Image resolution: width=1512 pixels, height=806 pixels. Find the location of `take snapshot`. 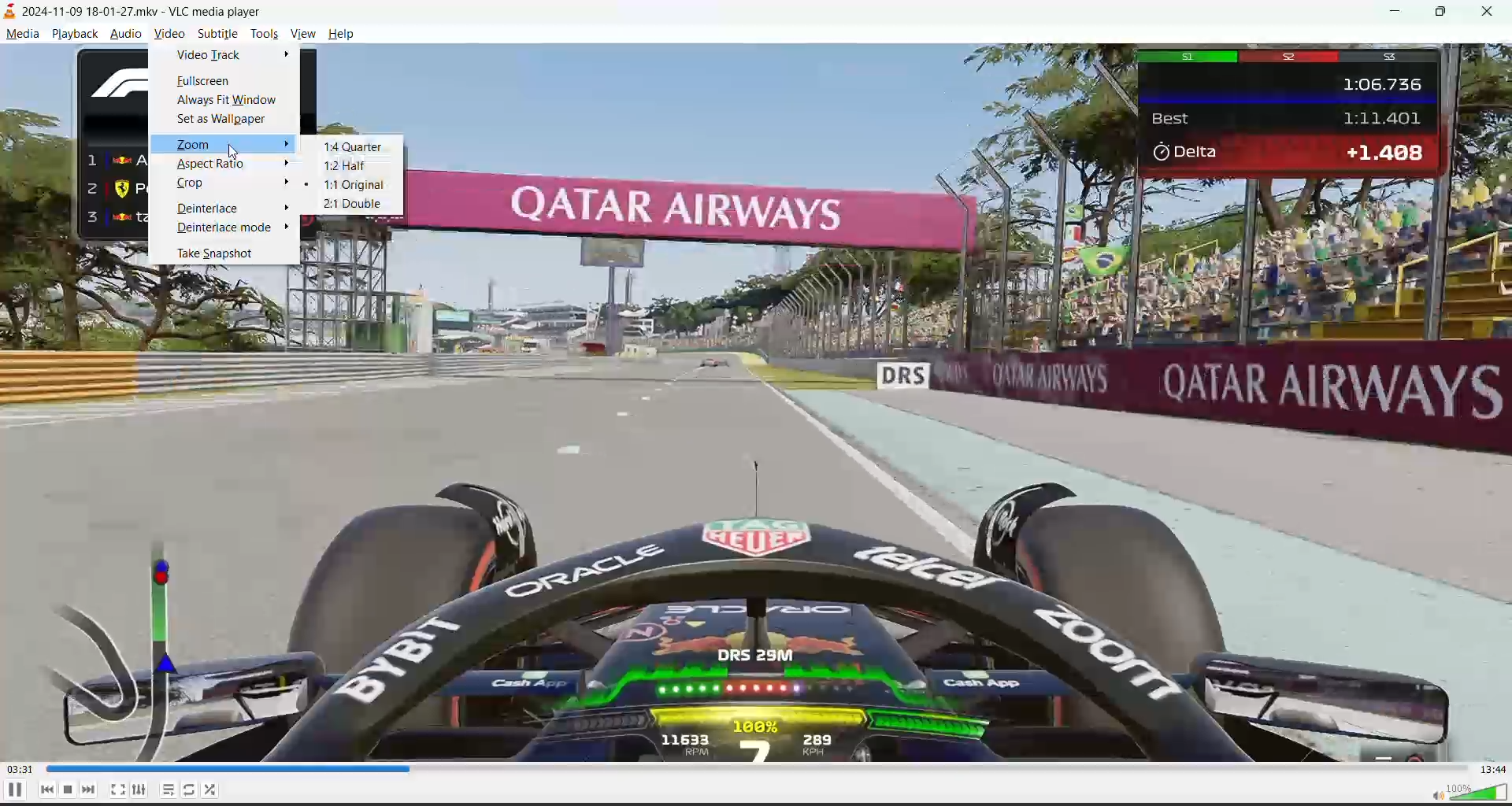

take snapshot is located at coordinates (220, 254).